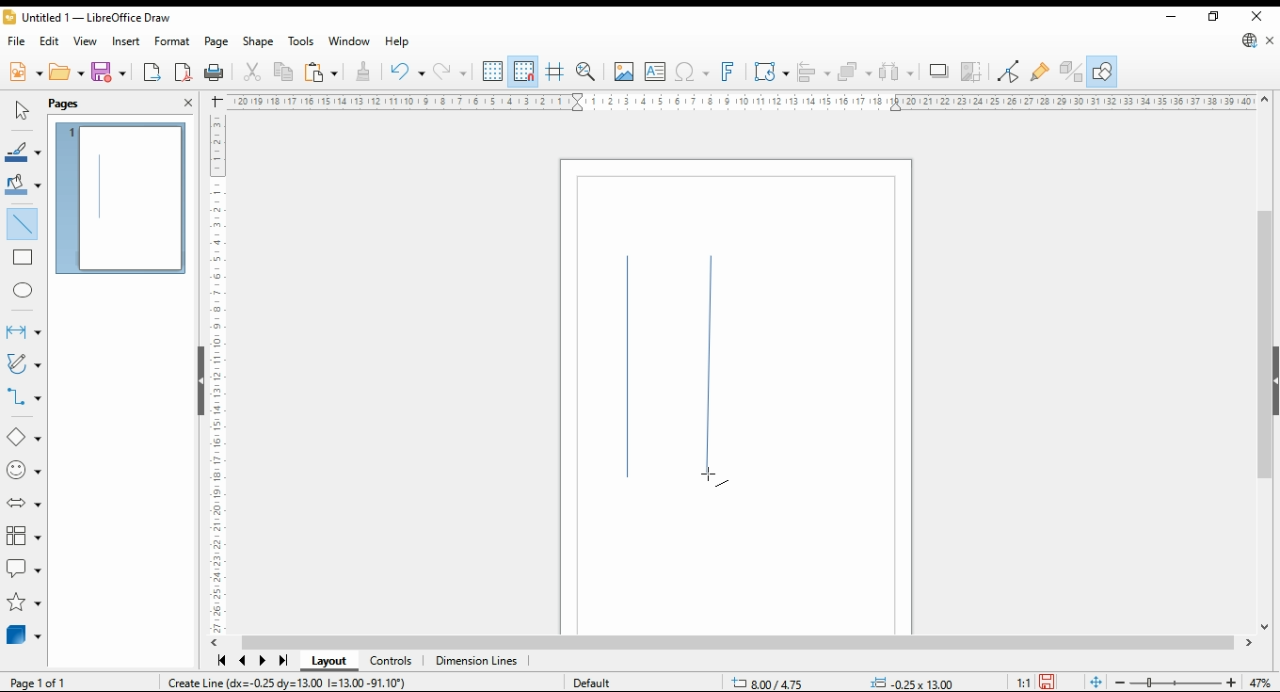  I want to click on 3D objects, so click(24, 636).